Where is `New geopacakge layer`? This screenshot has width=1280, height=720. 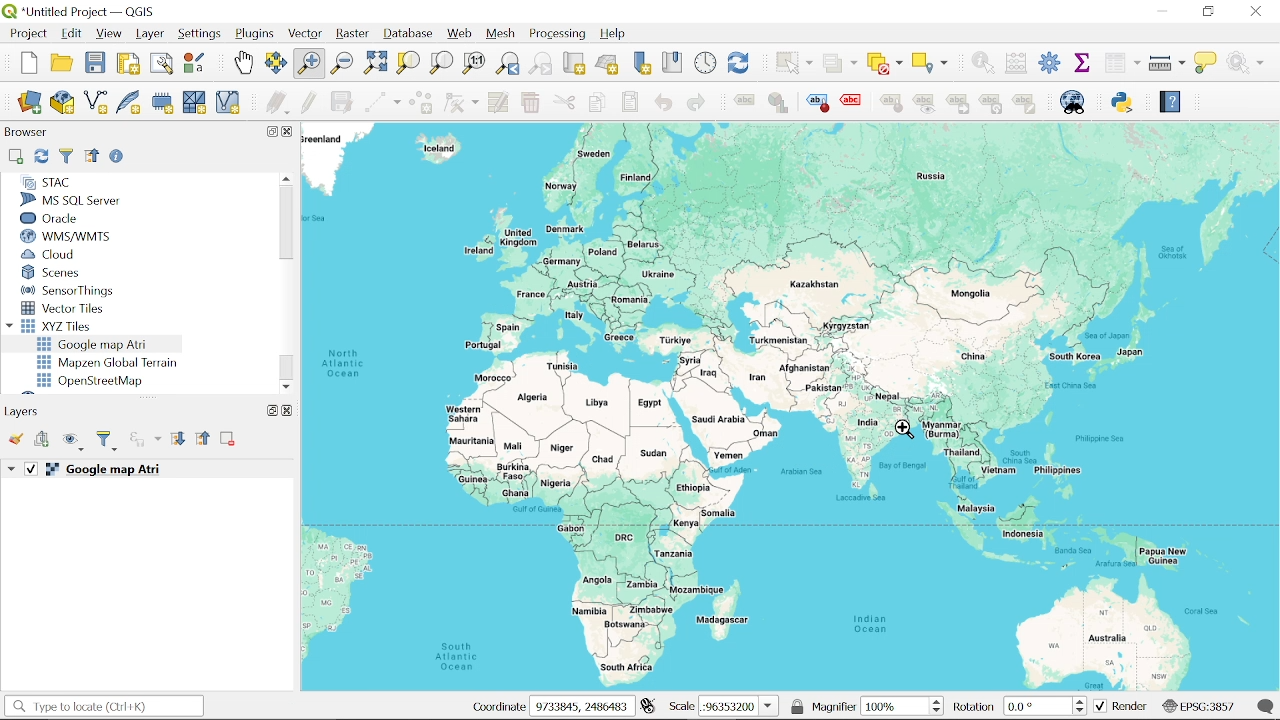 New geopacakge layer is located at coordinates (63, 102).